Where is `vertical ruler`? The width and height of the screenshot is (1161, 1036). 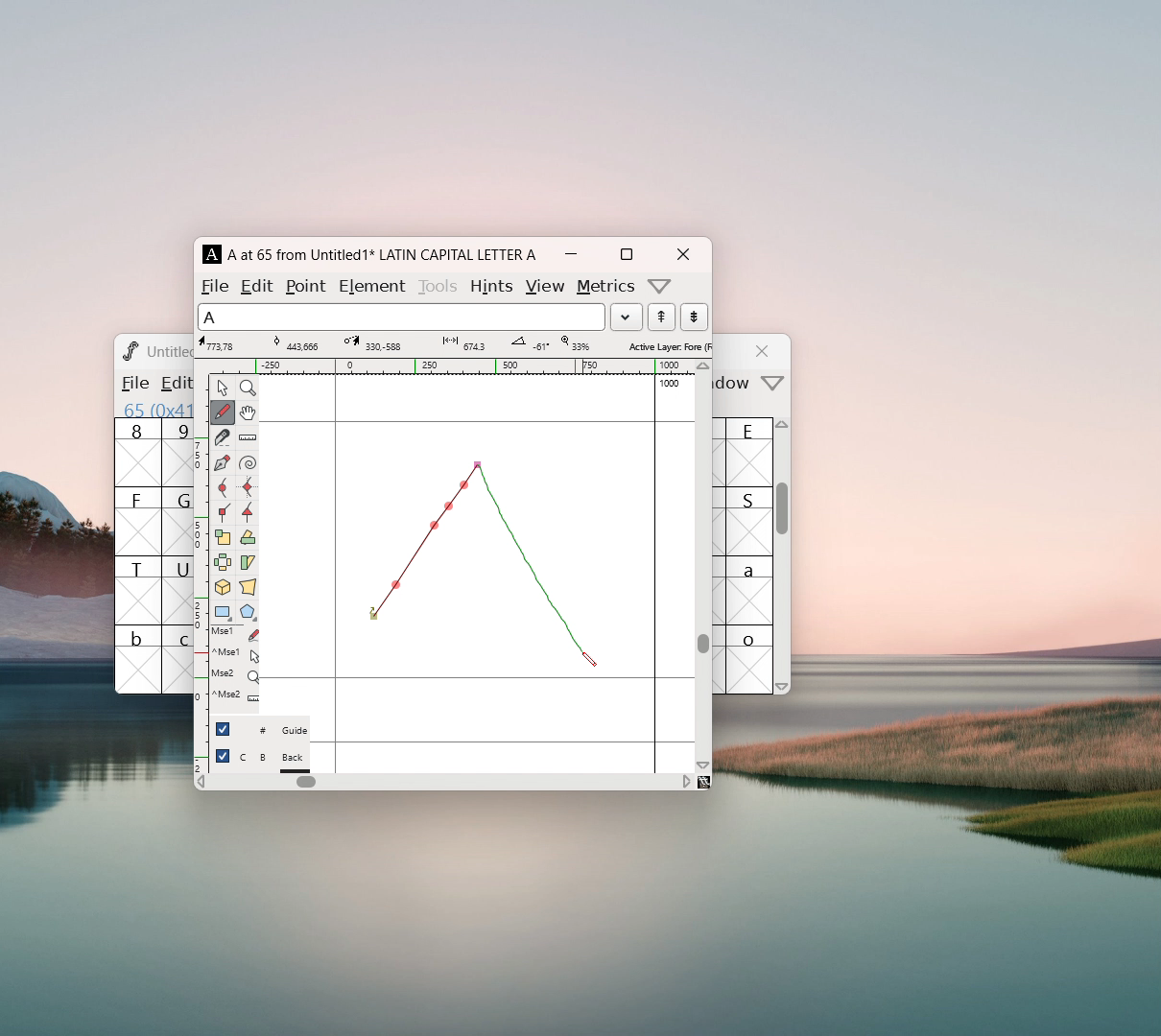 vertical ruler is located at coordinates (201, 572).